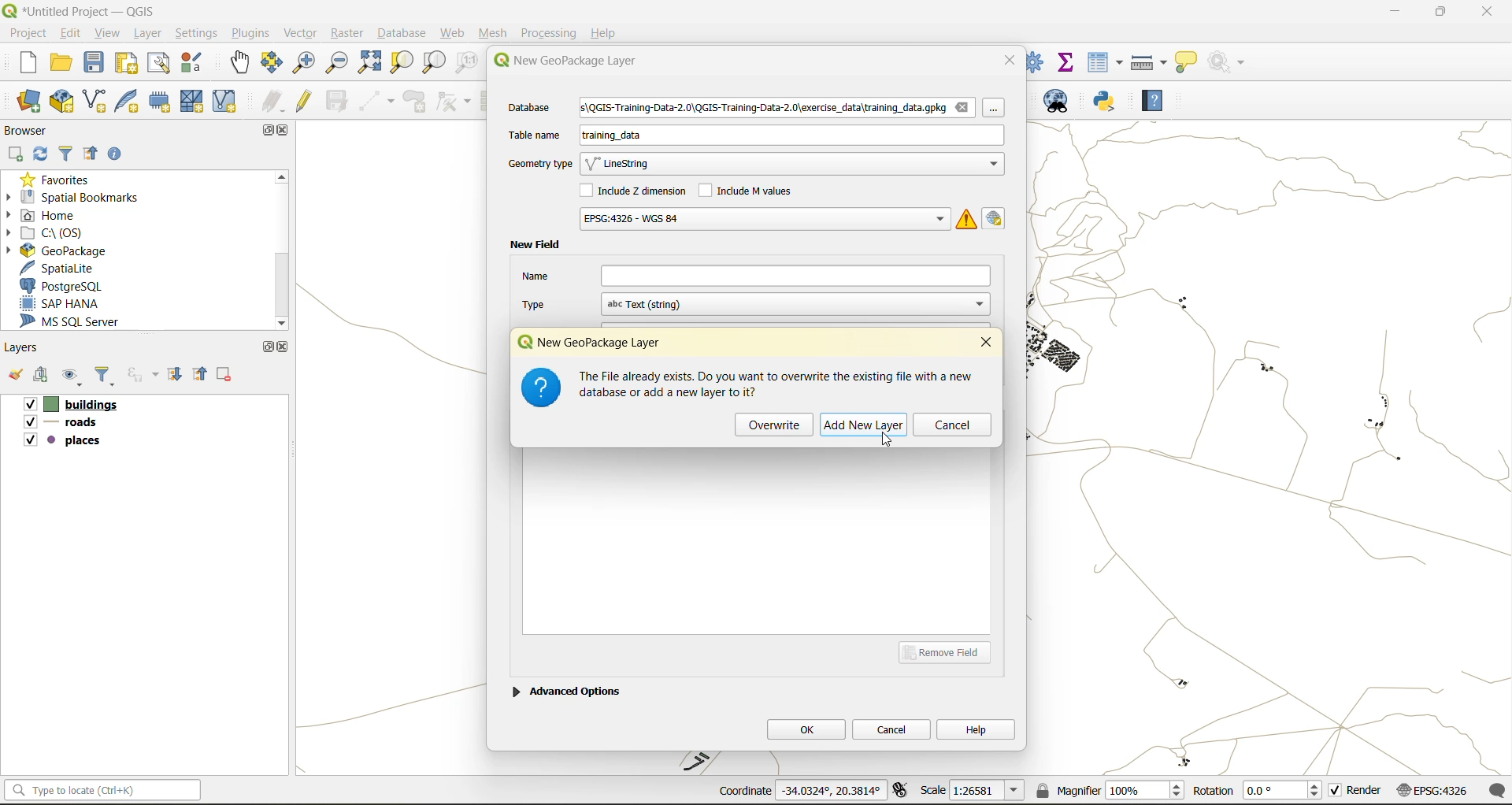 The width and height of the screenshot is (1512, 805). I want to click on sap hana, so click(74, 304).